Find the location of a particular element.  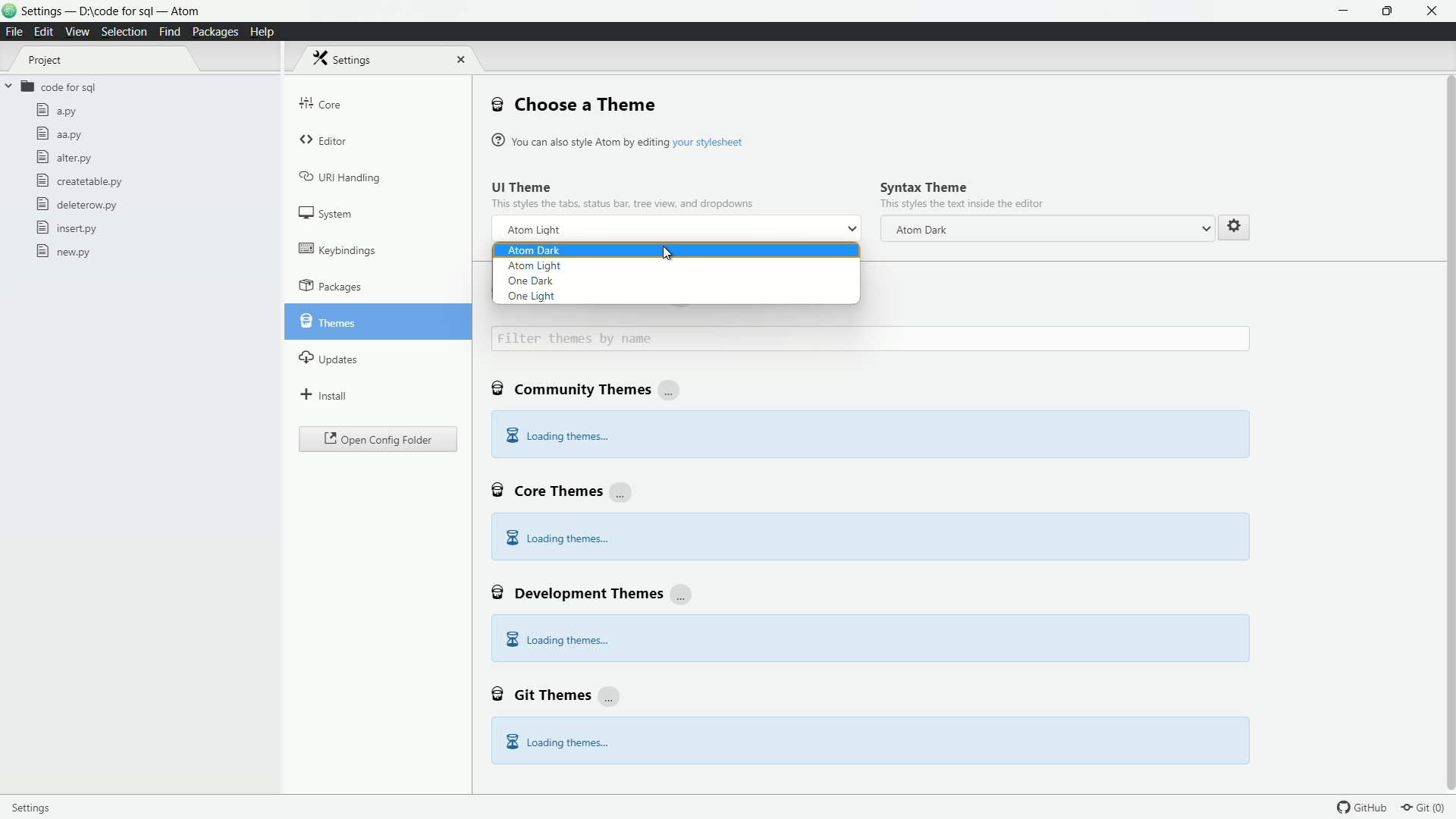

community theme is located at coordinates (588, 391).